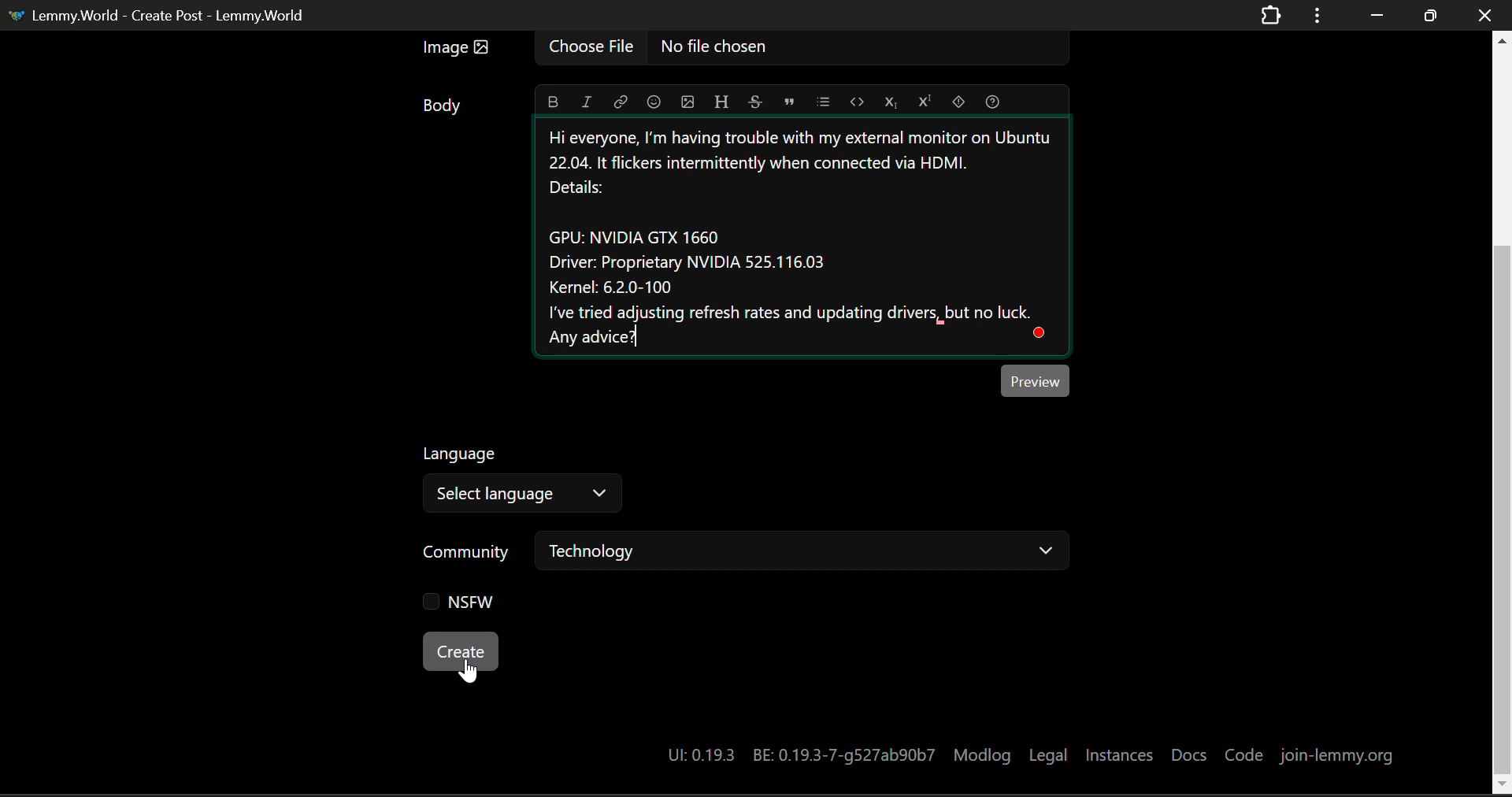  Describe the element at coordinates (788, 102) in the screenshot. I see `Quote` at that location.